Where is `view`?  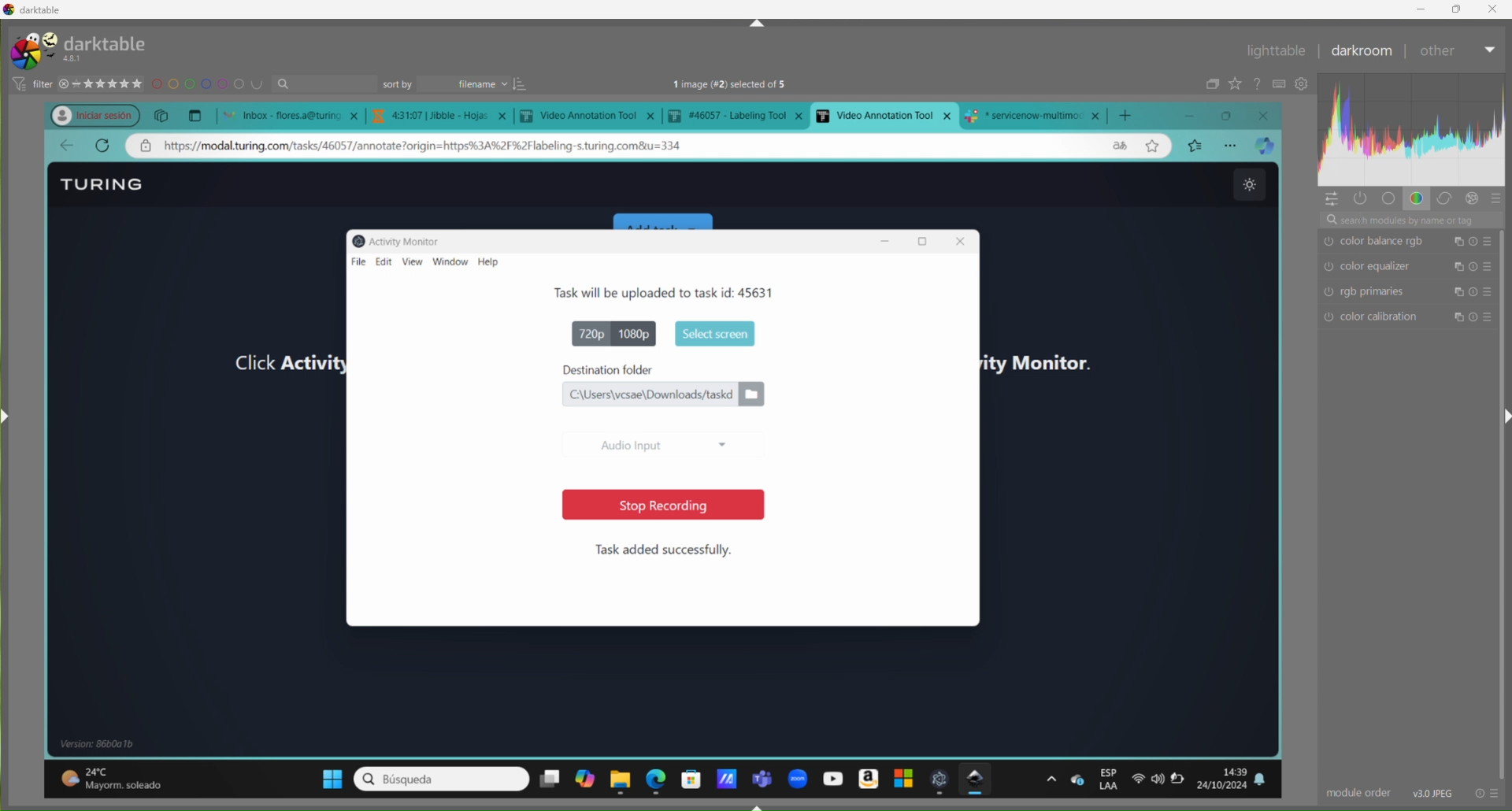 view is located at coordinates (412, 262).